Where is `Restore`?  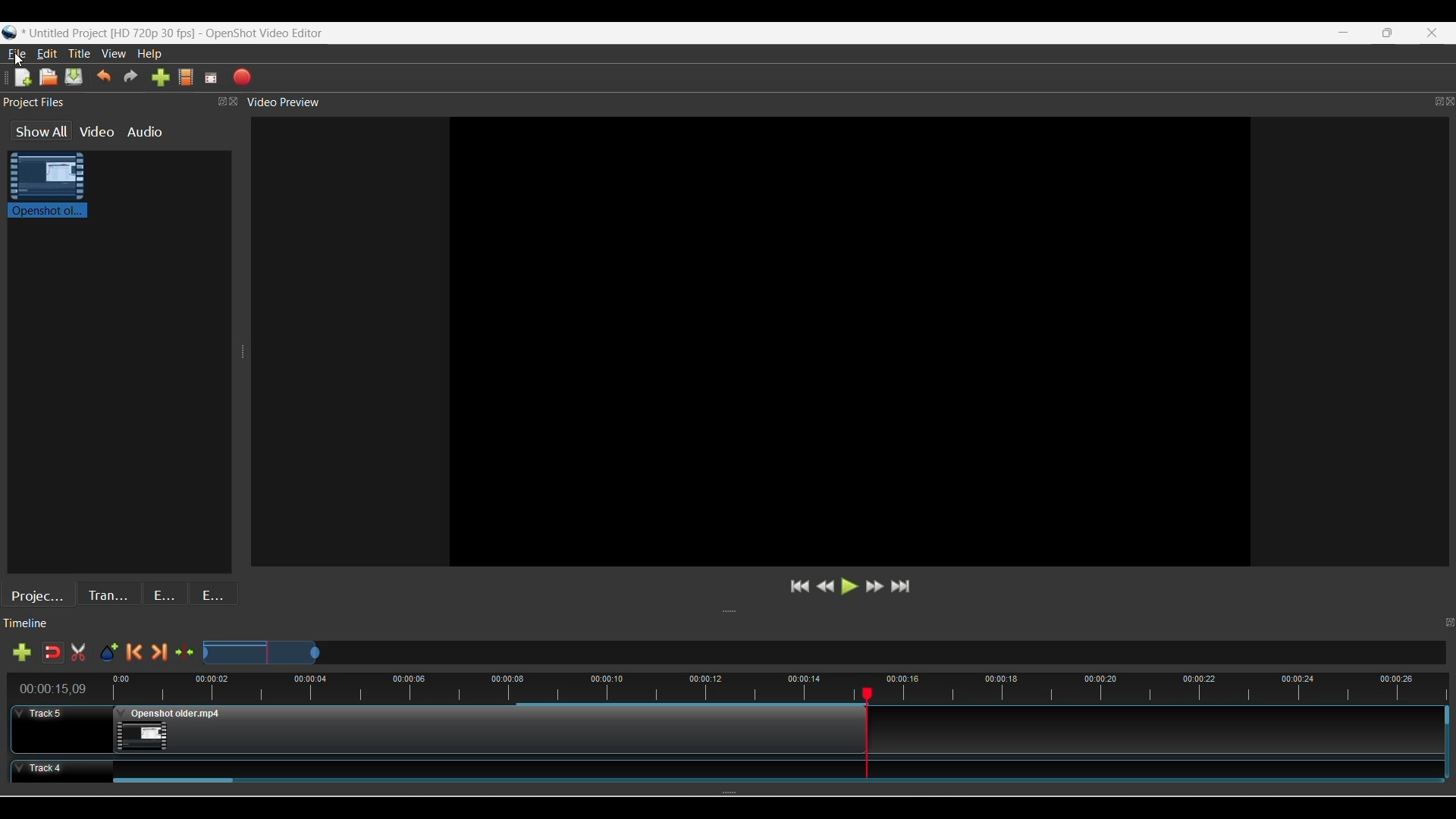 Restore is located at coordinates (1390, 33).